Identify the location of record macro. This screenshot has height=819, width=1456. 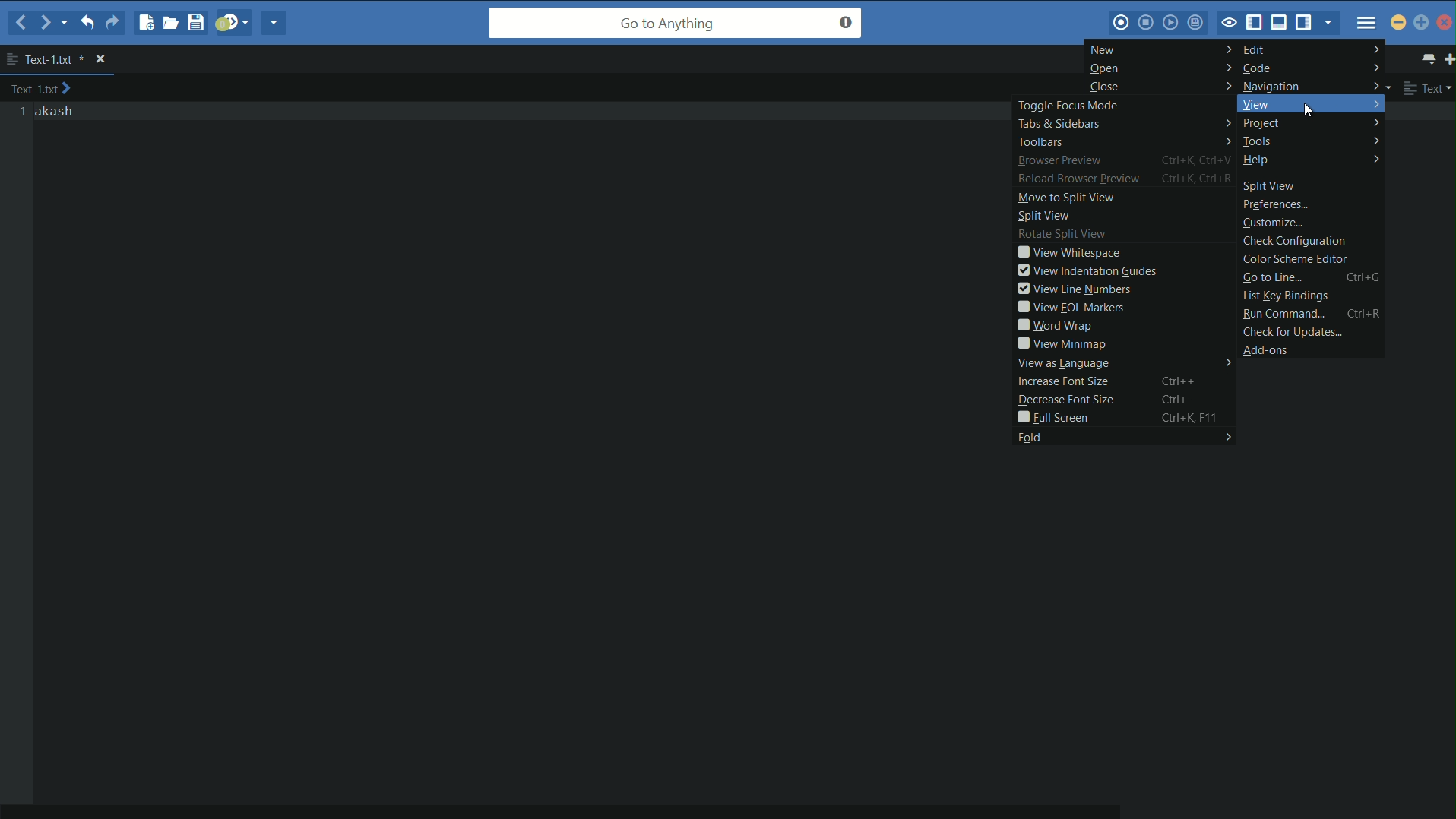
(1121, 23).